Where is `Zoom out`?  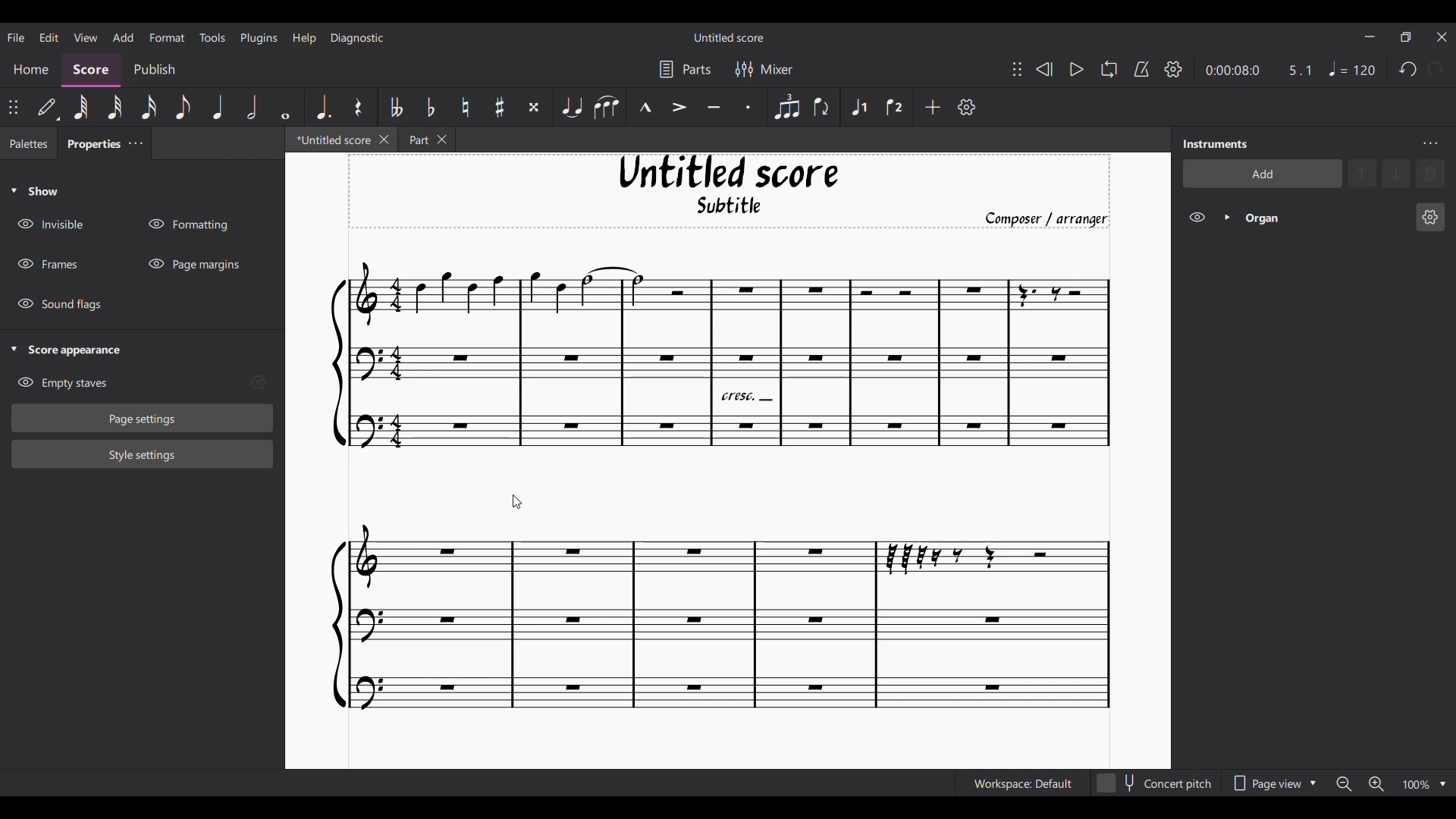 Zoom out is located at coordinates (1344, 784).